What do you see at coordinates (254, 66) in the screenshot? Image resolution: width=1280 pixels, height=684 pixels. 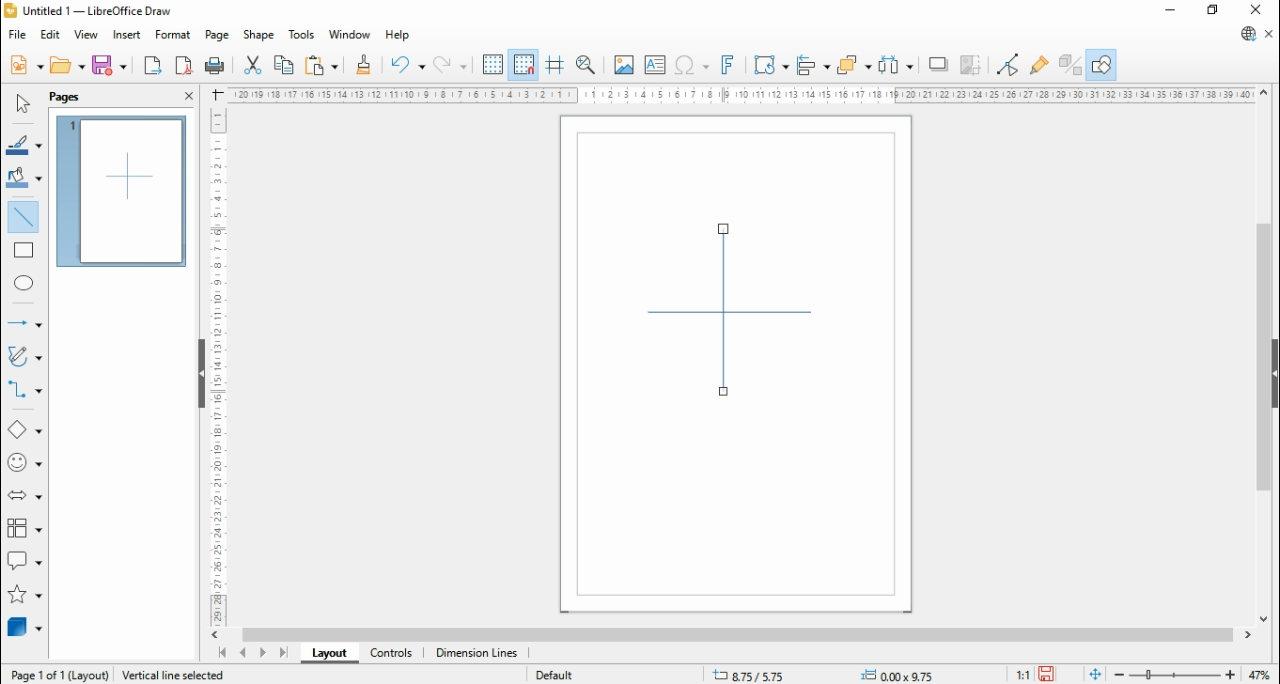 I see `cut` at bounding box center [254, 66].